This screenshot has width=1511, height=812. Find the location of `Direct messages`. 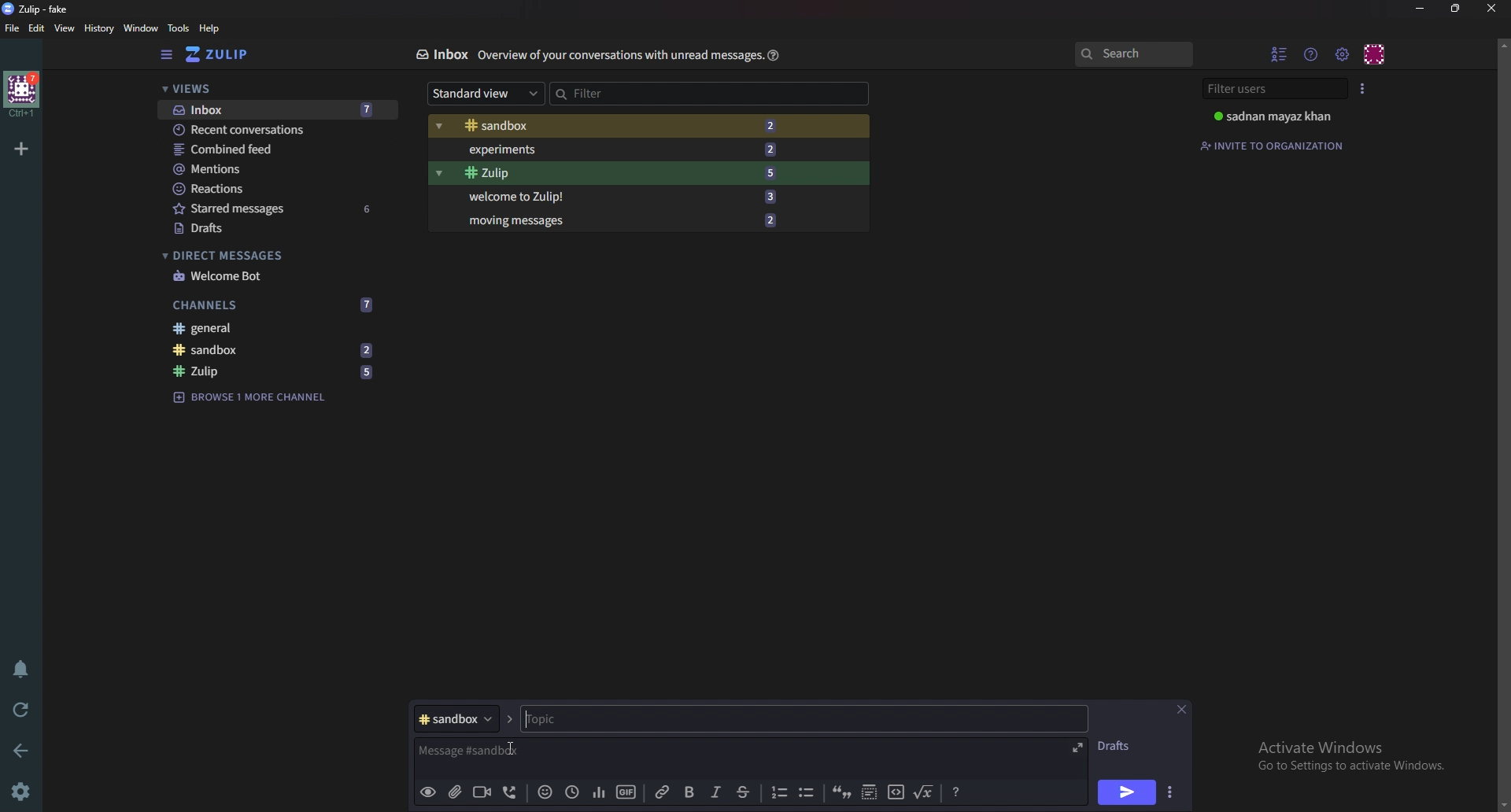

Direct messages is located at coordinates (271, 256).